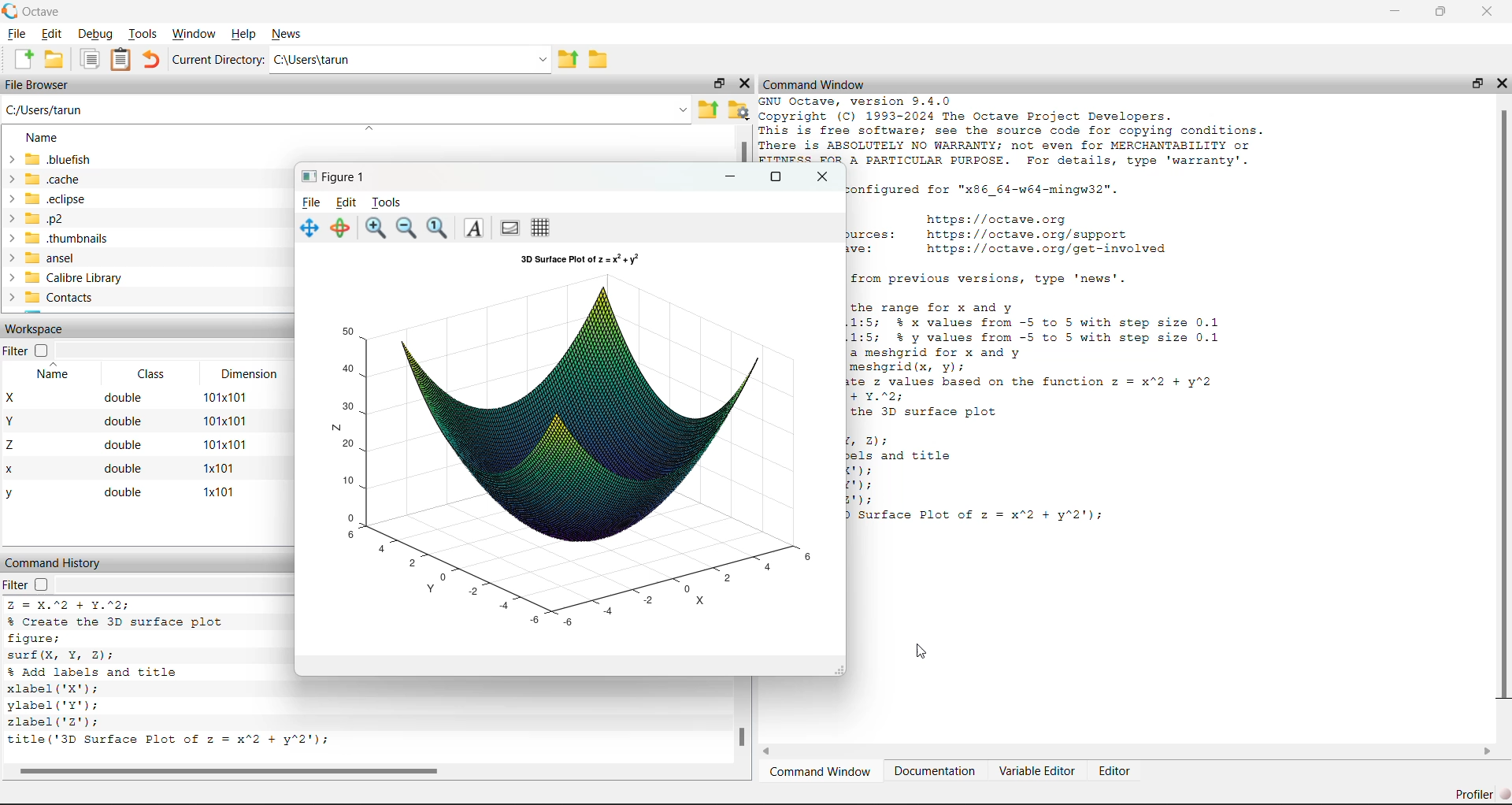  Describe the element at coordinates (57, 239) in the screenshot. I see `thumbnails` at that location.